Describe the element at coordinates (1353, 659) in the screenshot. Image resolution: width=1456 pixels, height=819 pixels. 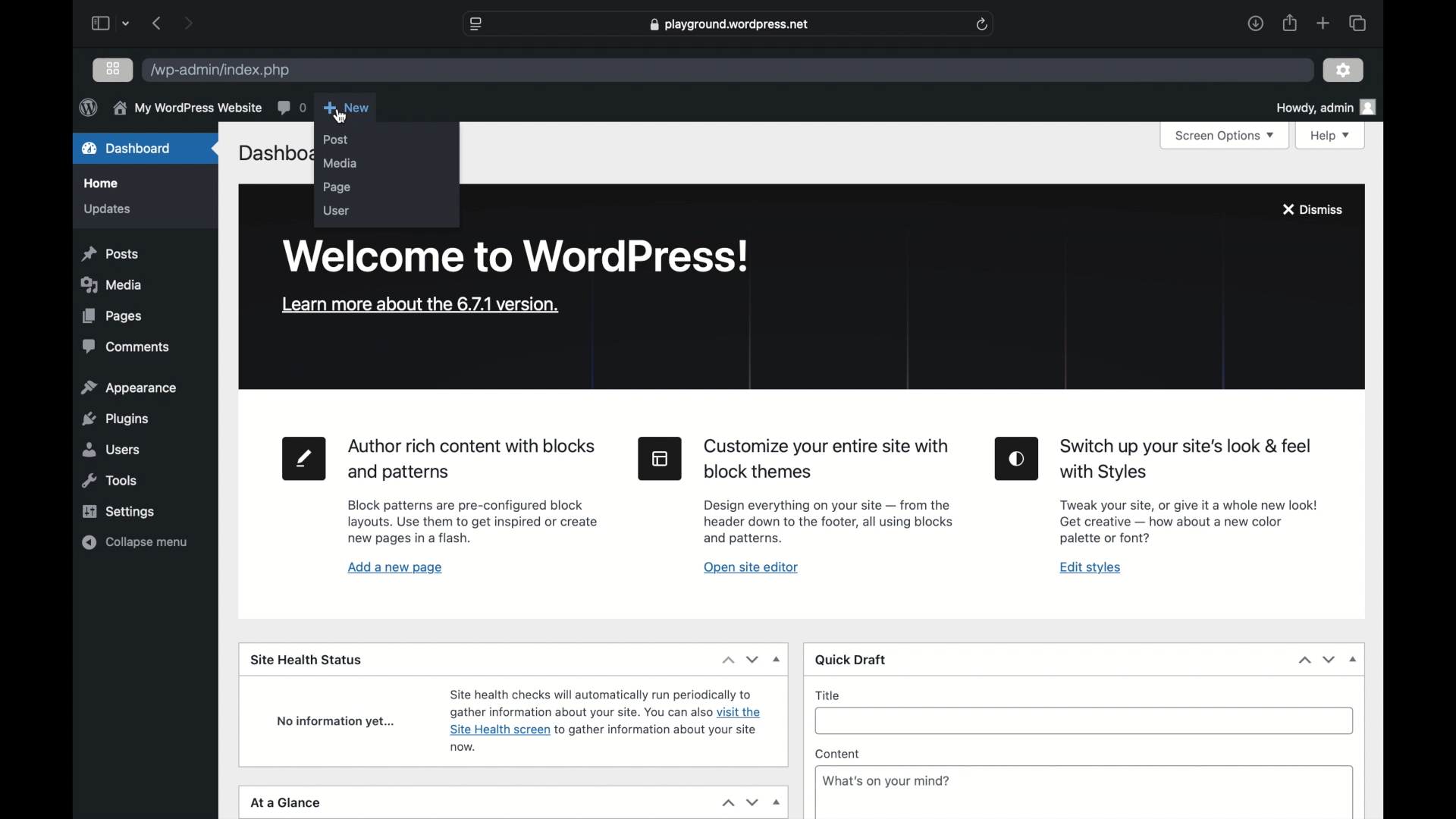
I see `dropdown` at that location.